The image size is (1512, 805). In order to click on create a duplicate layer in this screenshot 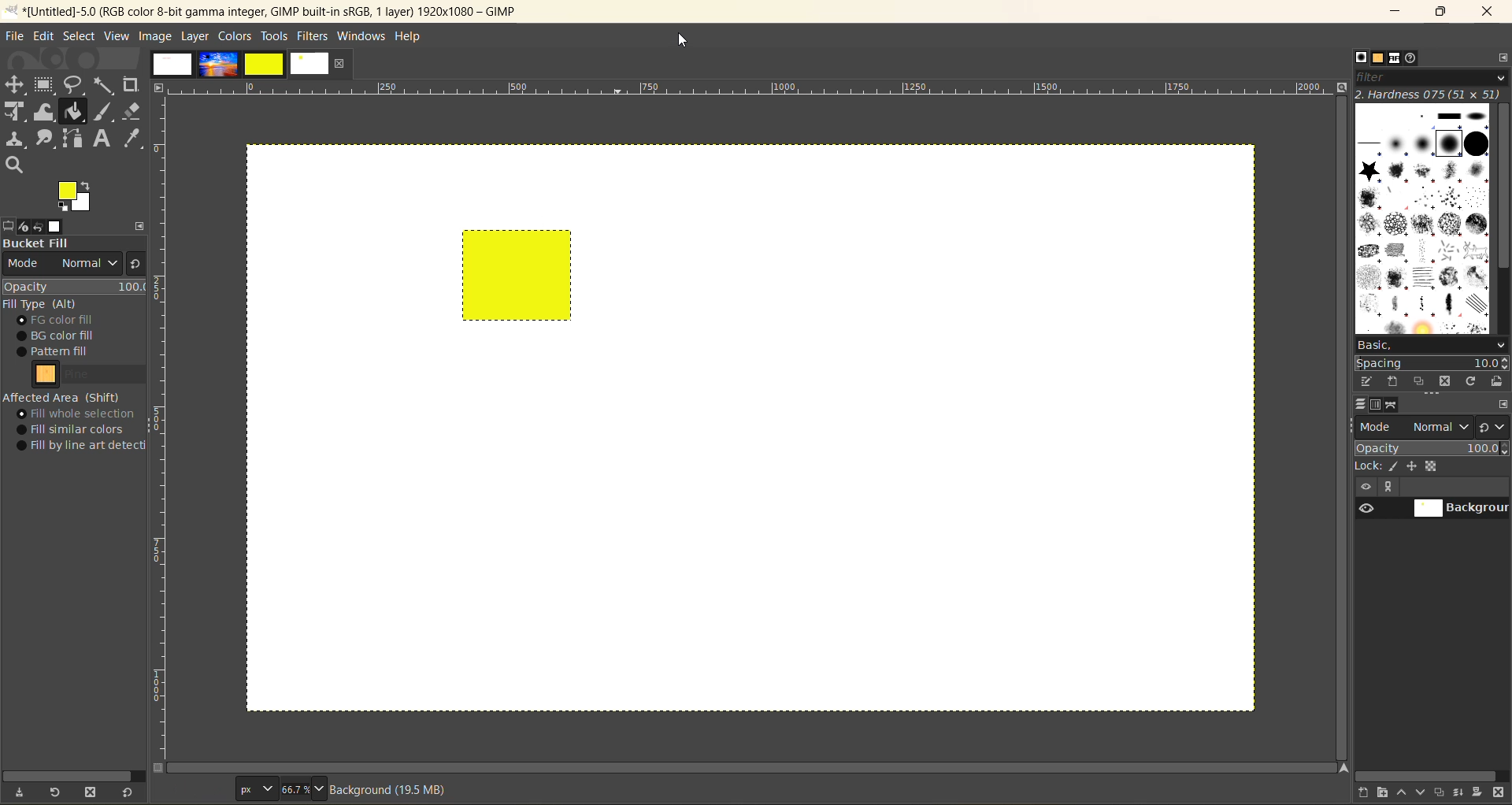, I will do `click(1443, 791)`.